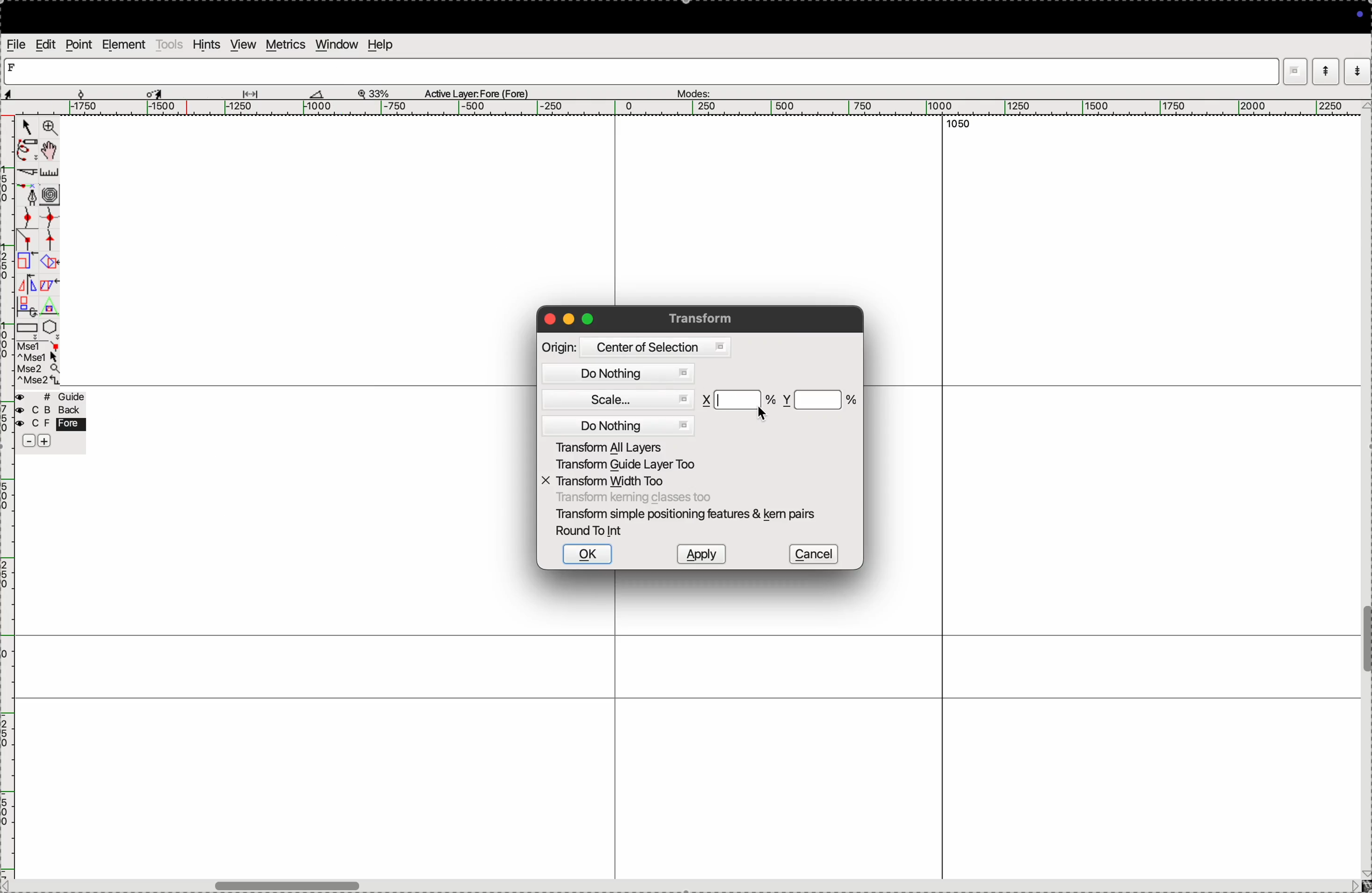  Describe the element at coordinates (679, 108) in the screenshot. I see `horizontal scale` at that location.